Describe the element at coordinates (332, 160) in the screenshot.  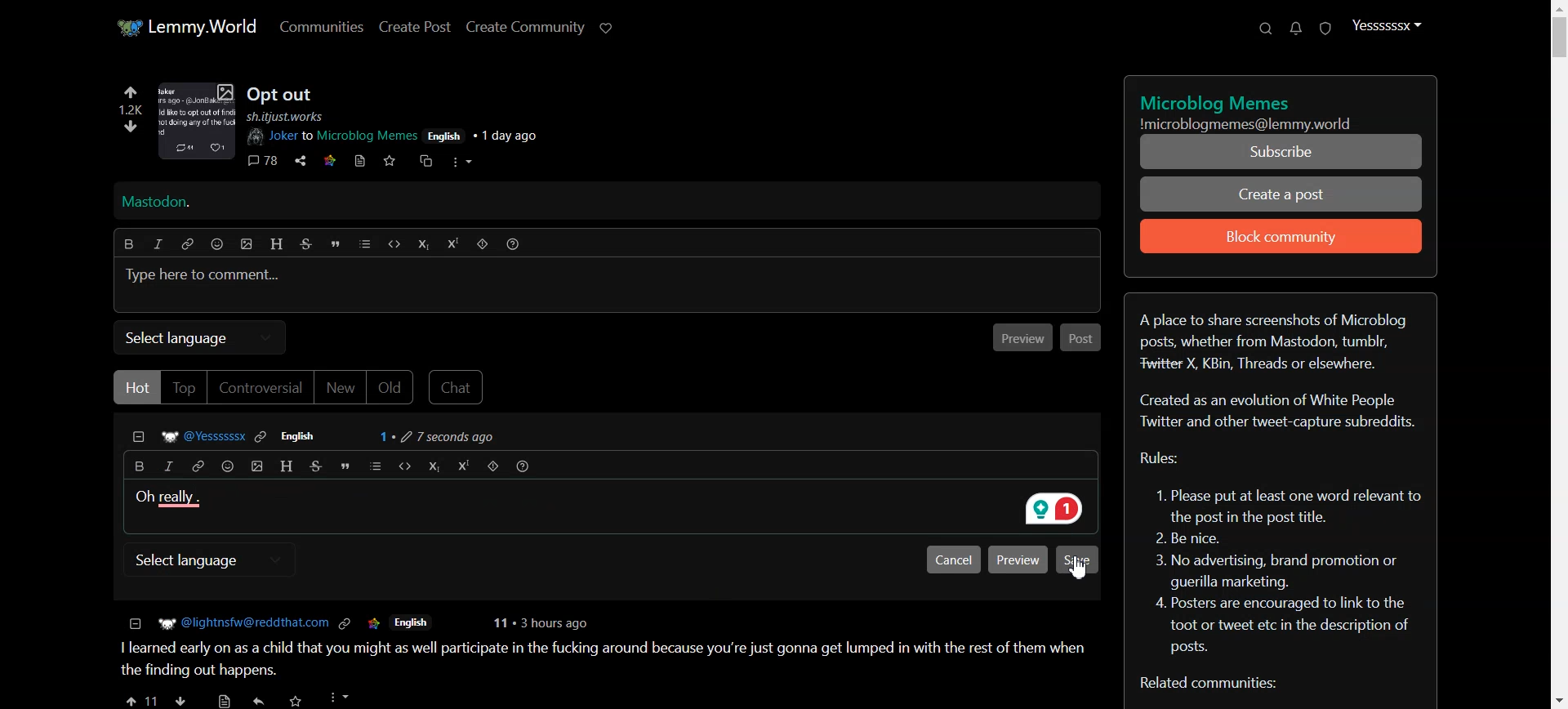
I see `link` at that location.